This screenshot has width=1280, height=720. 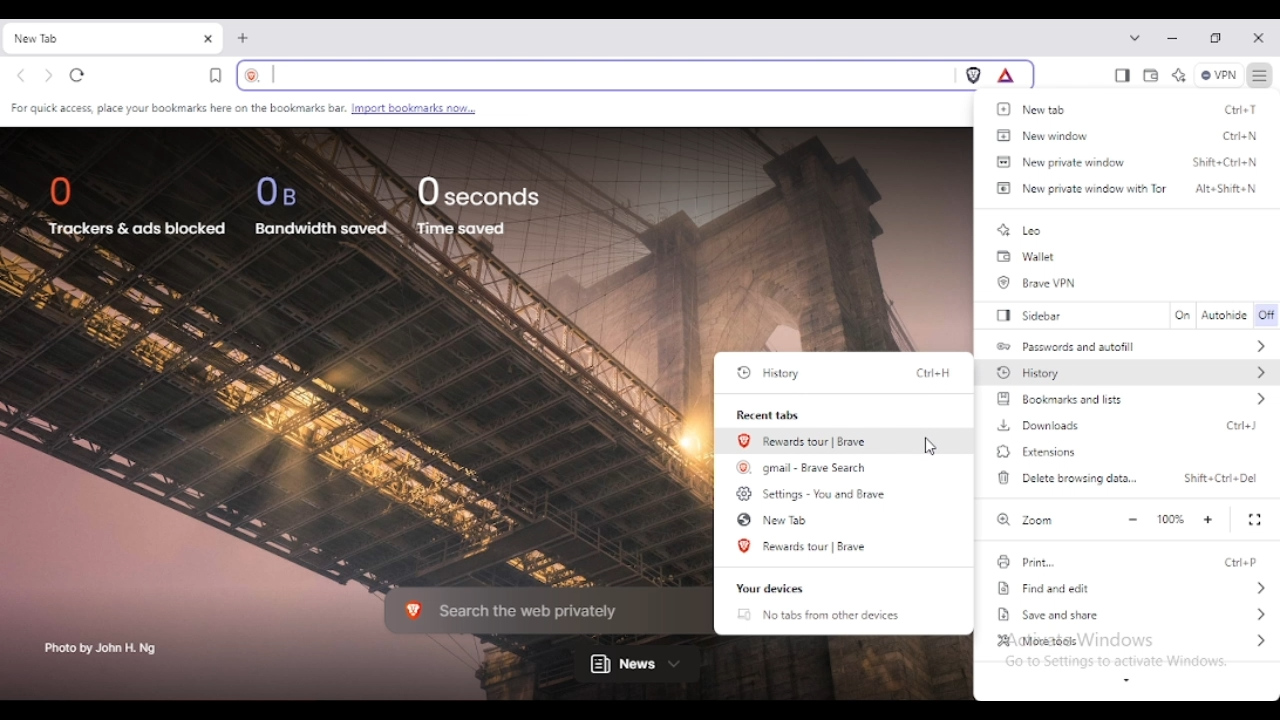 What do you see at coordinates (136, 209) in the screenshot?
I see `0 trackers & ads blocked` at bounding box center [136, 209].